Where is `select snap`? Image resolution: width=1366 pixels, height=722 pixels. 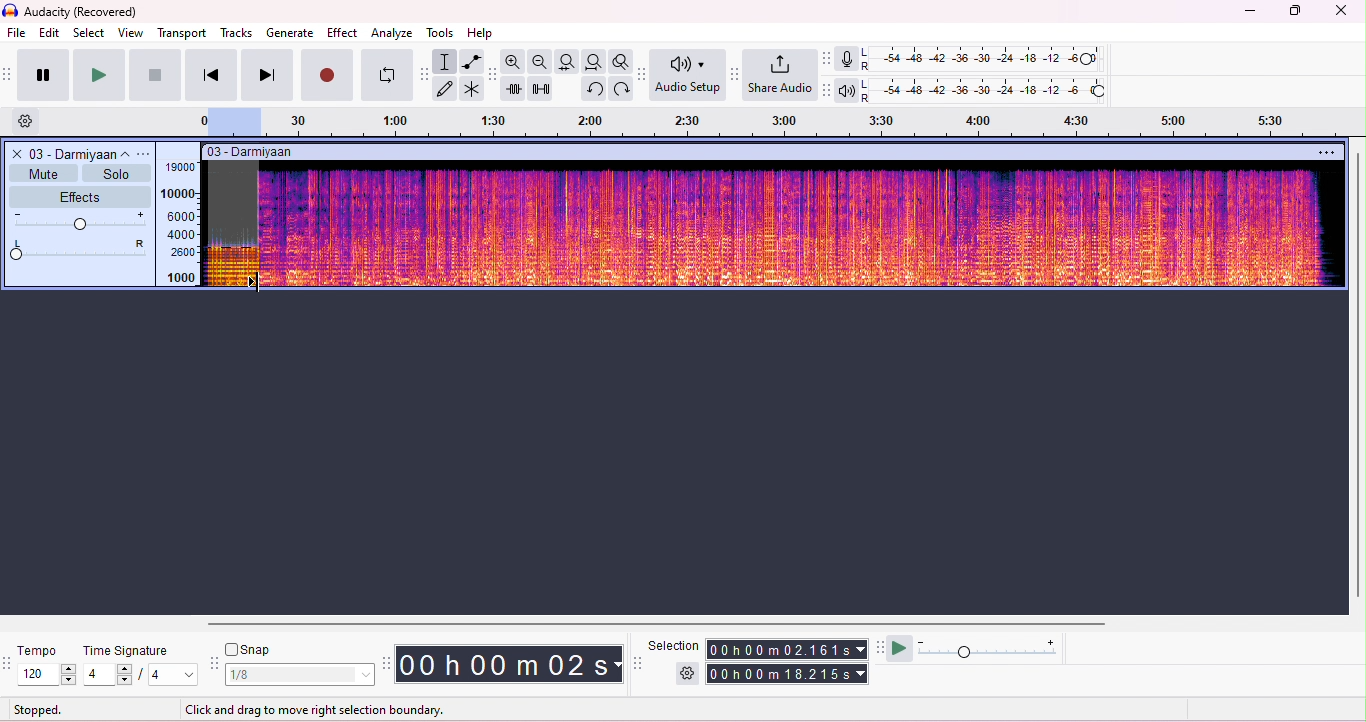
select snap is located at coordinates (302, 674).